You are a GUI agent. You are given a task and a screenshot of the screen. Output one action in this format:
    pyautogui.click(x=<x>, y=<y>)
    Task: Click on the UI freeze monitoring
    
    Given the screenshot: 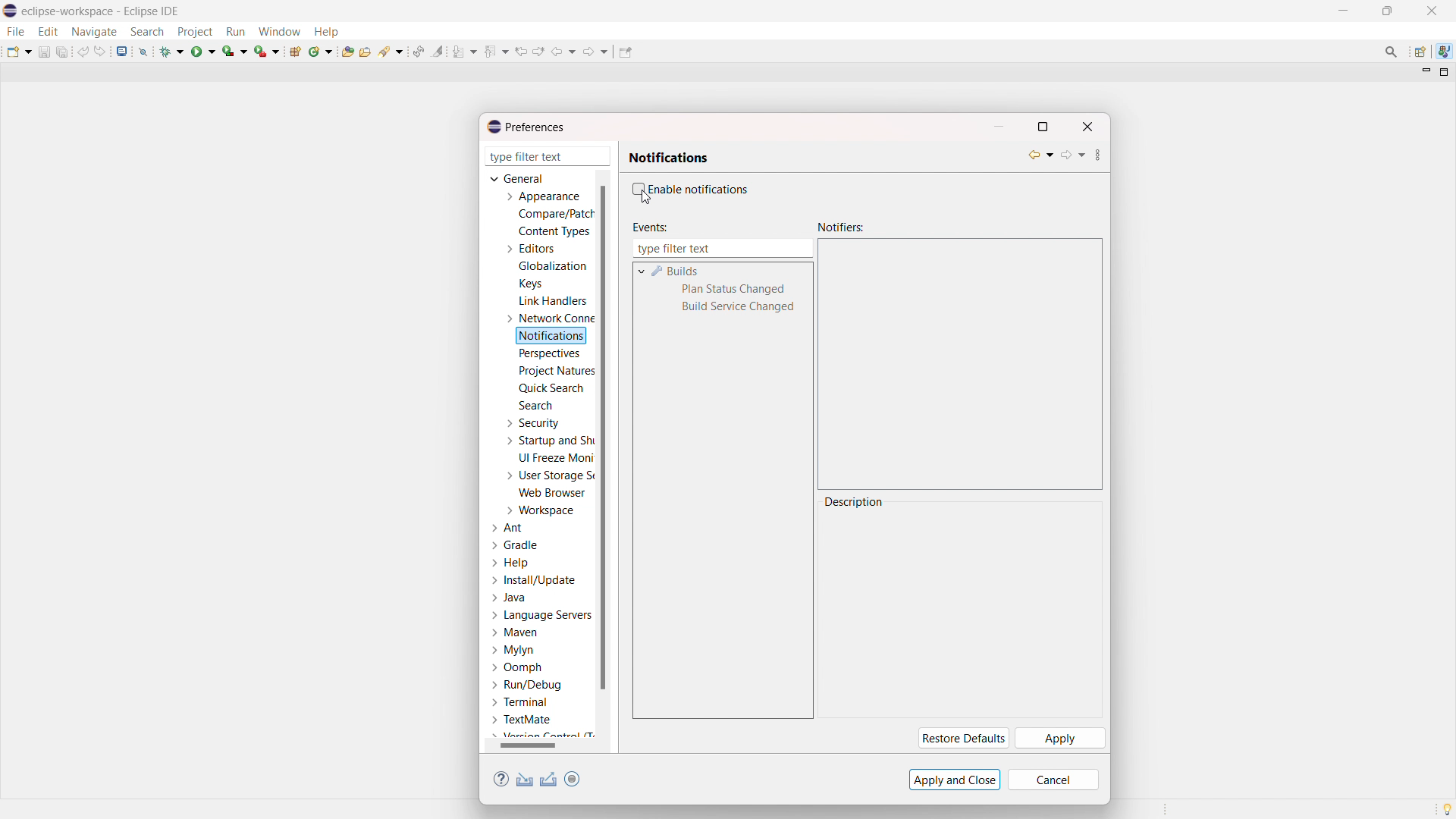 What is the action you would take?
    pyautogui.click(x=556, y=458)
    